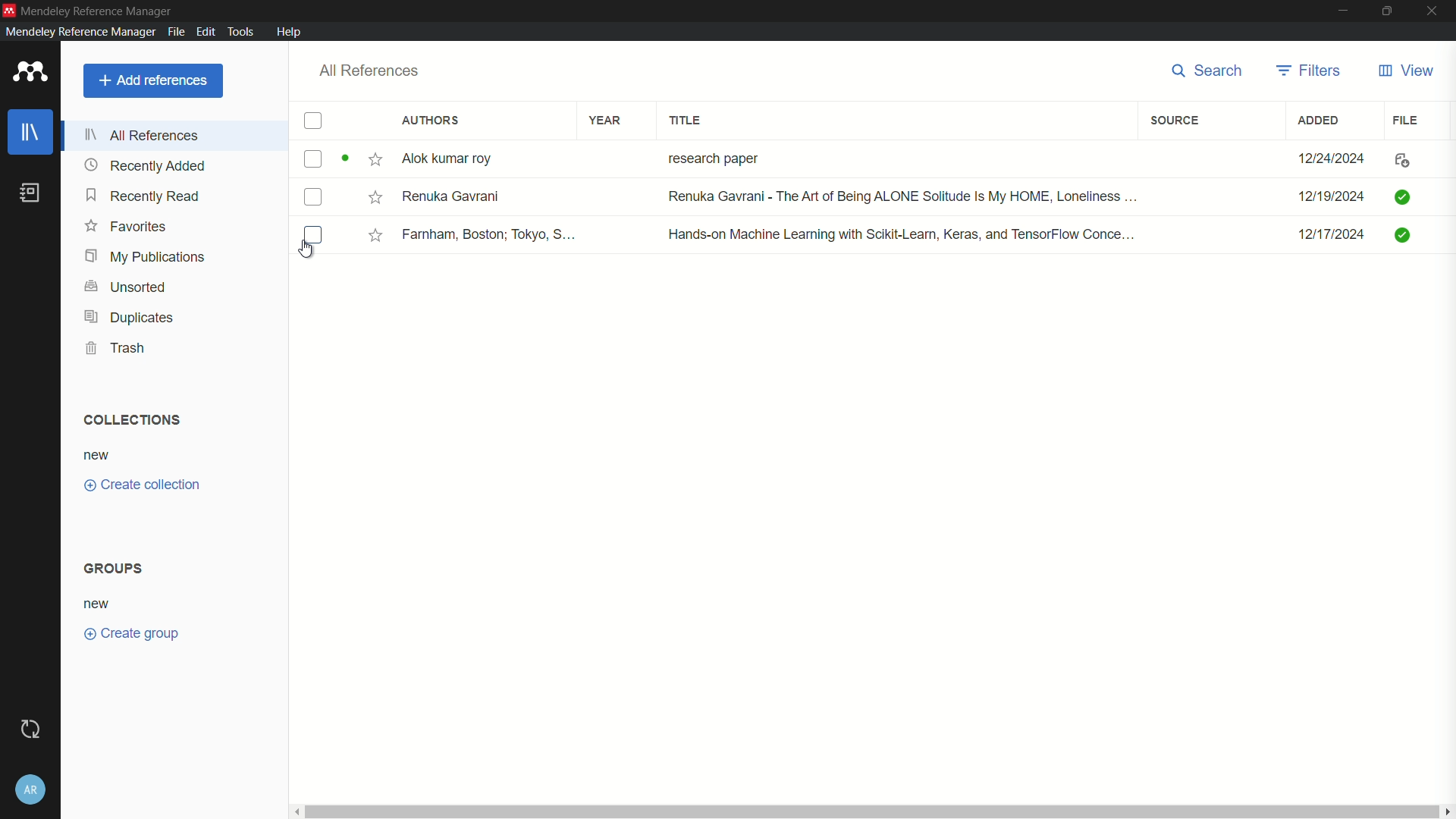 This screenshot has width=1456, height=819. What do you see at coordinates (377, 158) in the screenshot?
I see `Mark it star` at bounding box center [377, 158].